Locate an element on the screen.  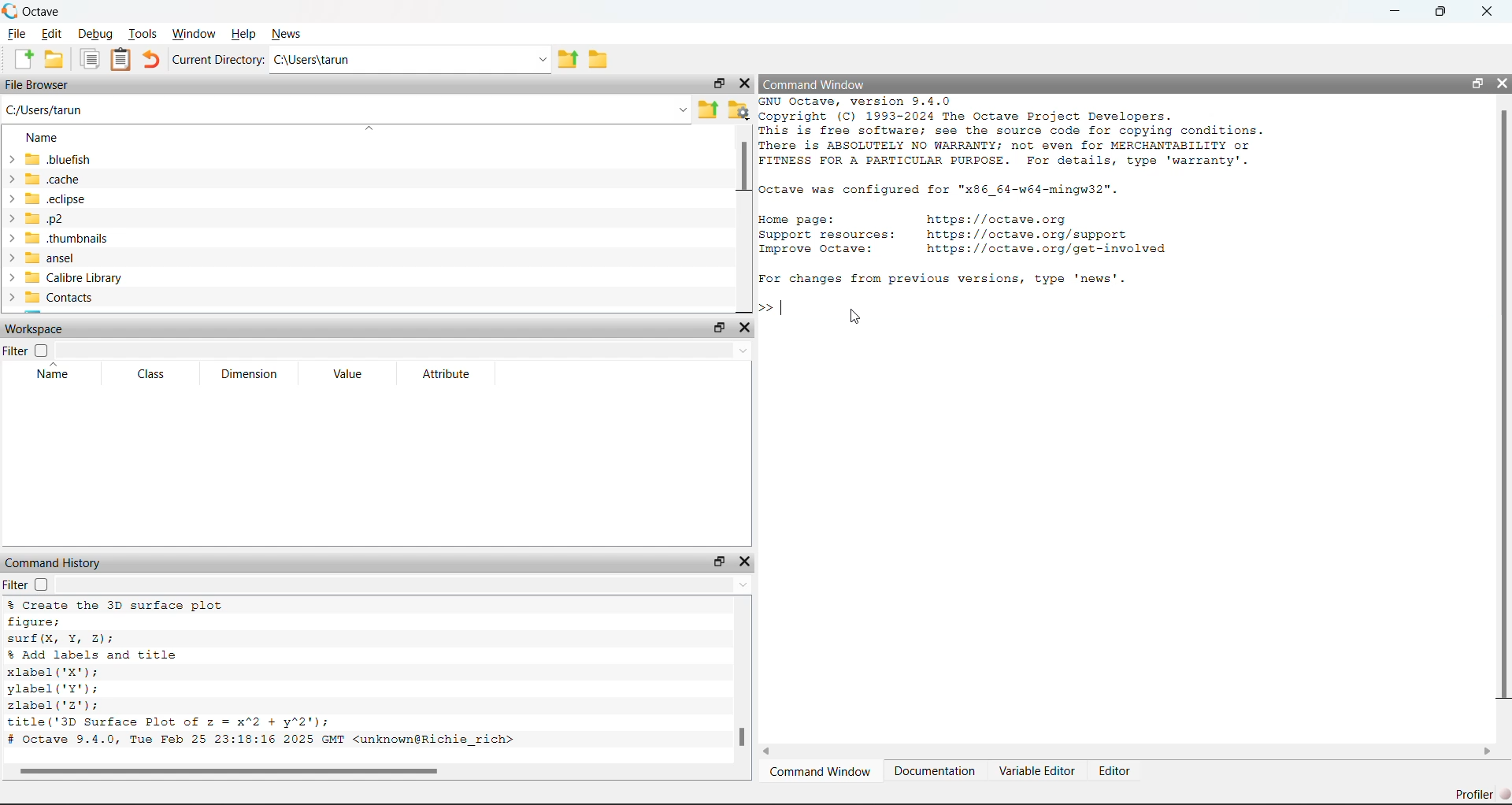
Minimize is located at coordinates (1394, 9).